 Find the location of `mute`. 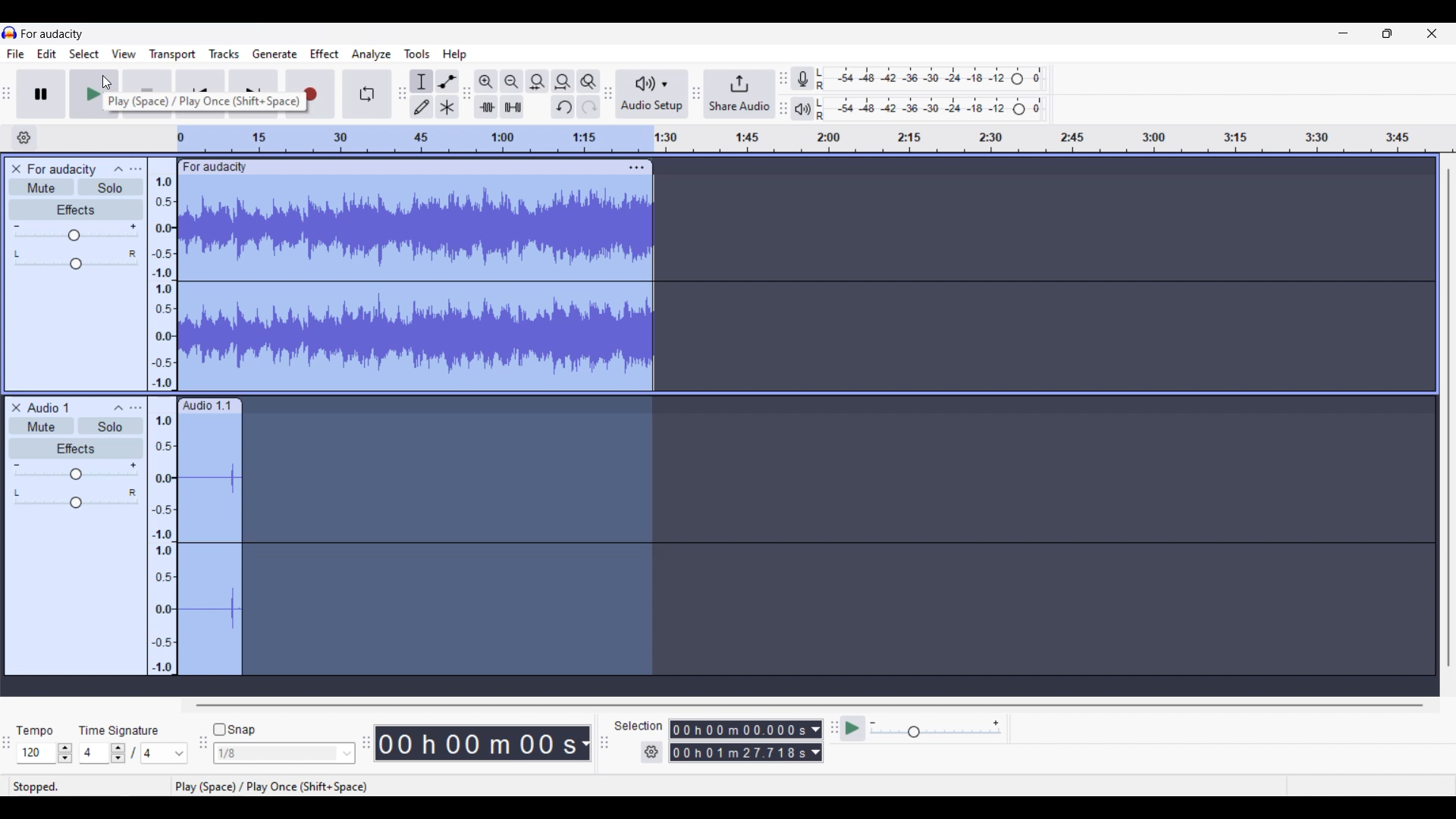

mute is located at coordinates (41, 427).